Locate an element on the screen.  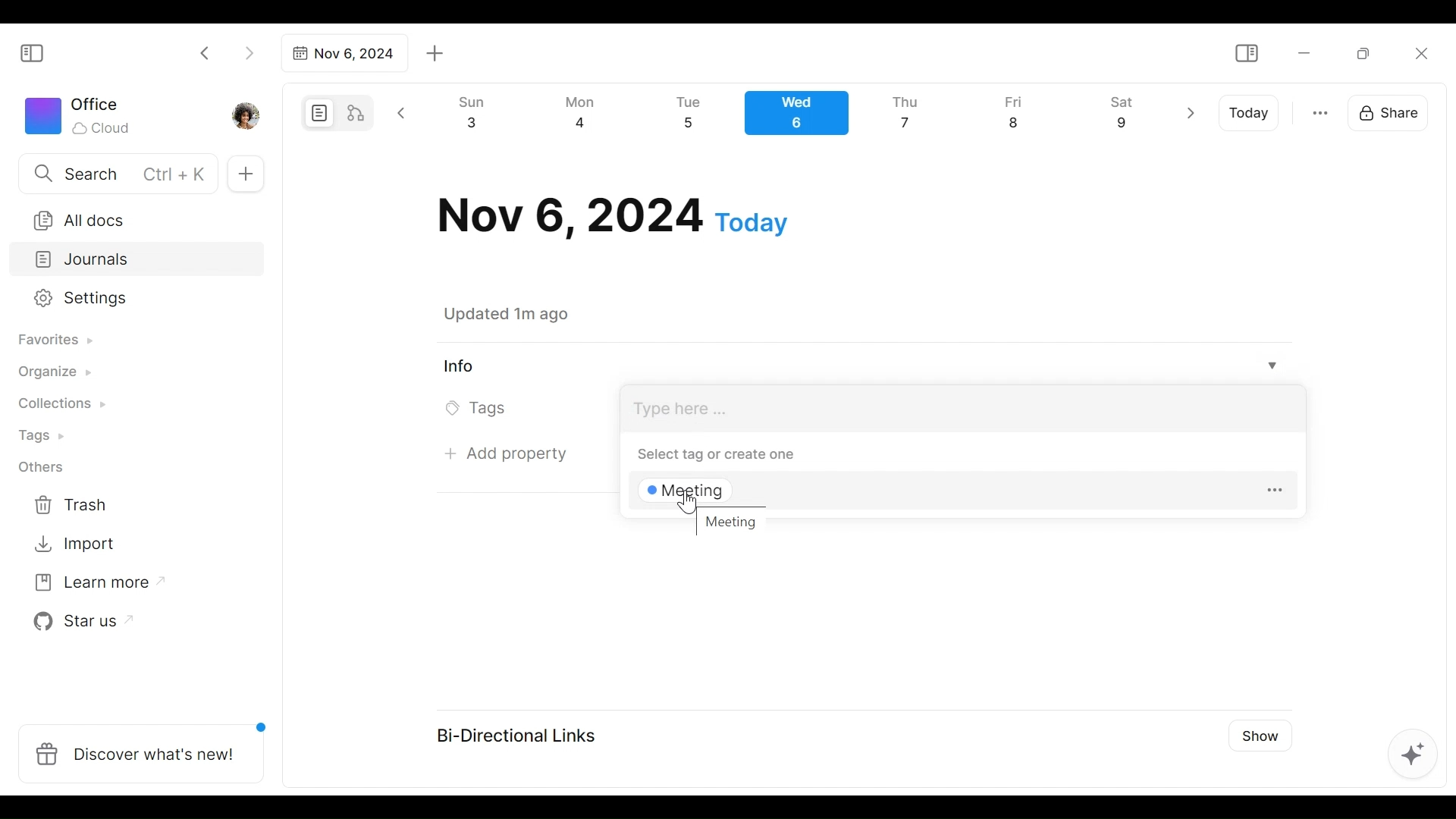
Add new  is located at coordinates (244, 174).